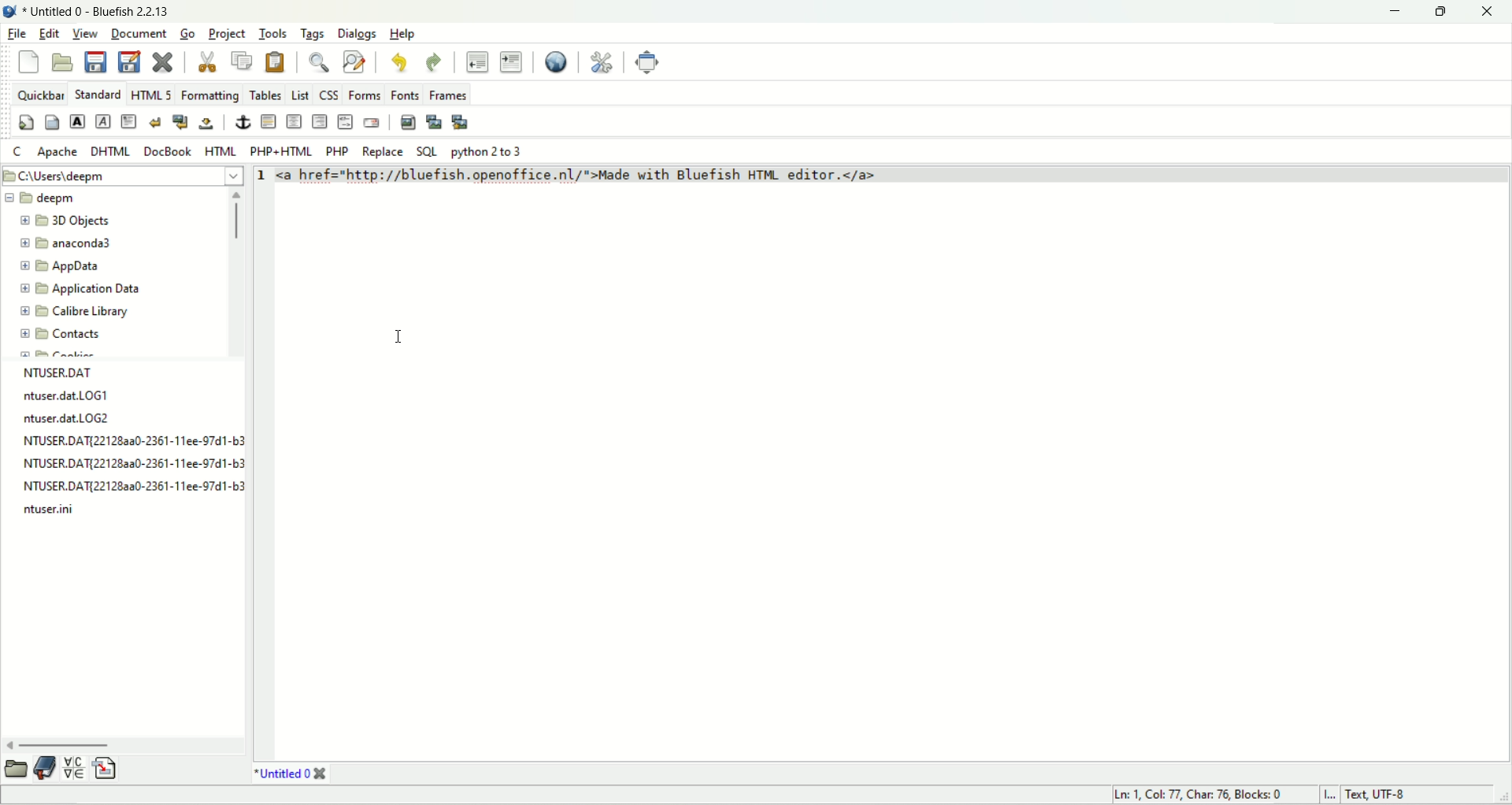  Describe the element at coordinates (70, 335) in the screenshot. I see `contacts` at that location.